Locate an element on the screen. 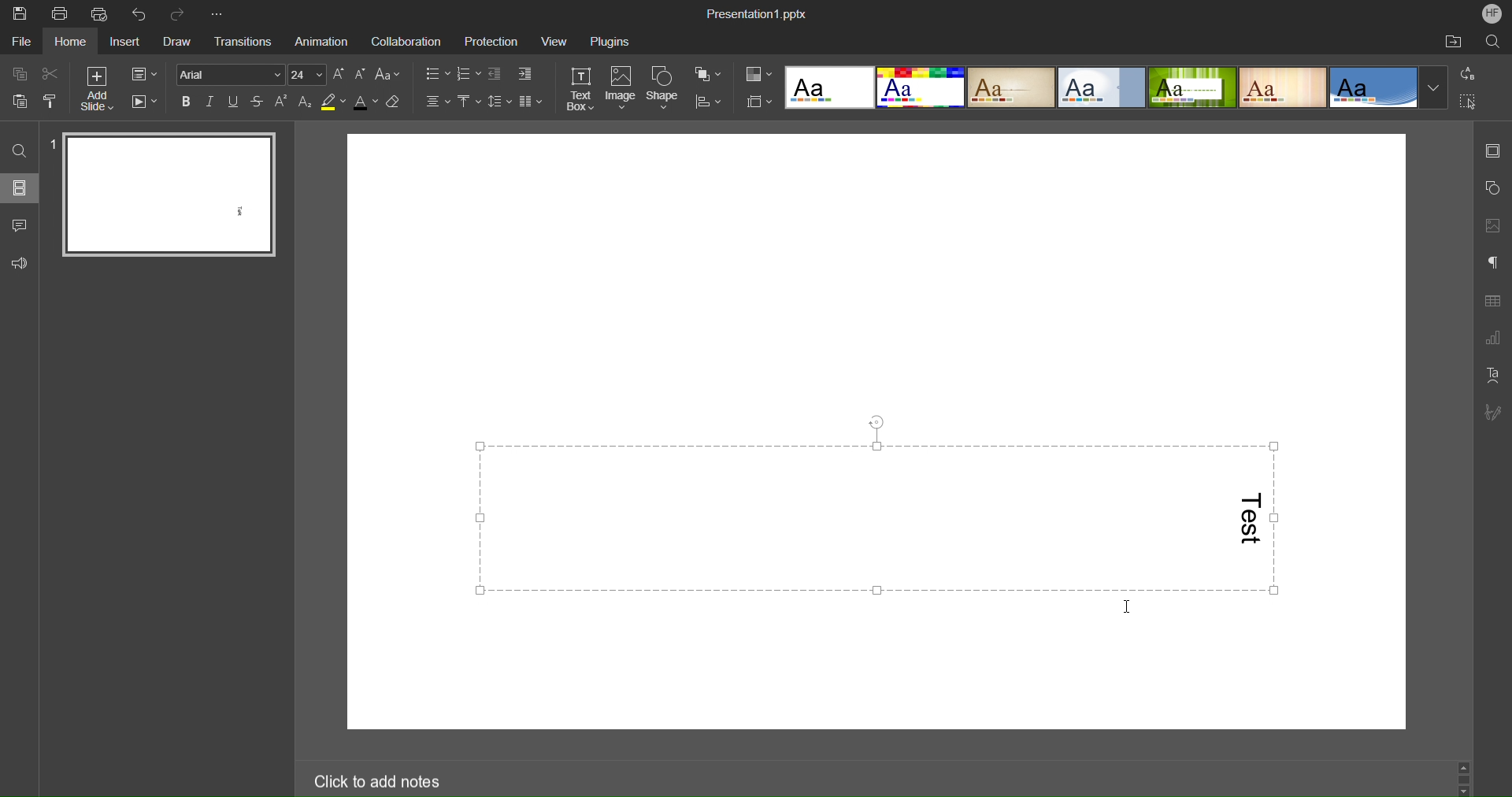  Add Slide is located at coordinates (95, 89).